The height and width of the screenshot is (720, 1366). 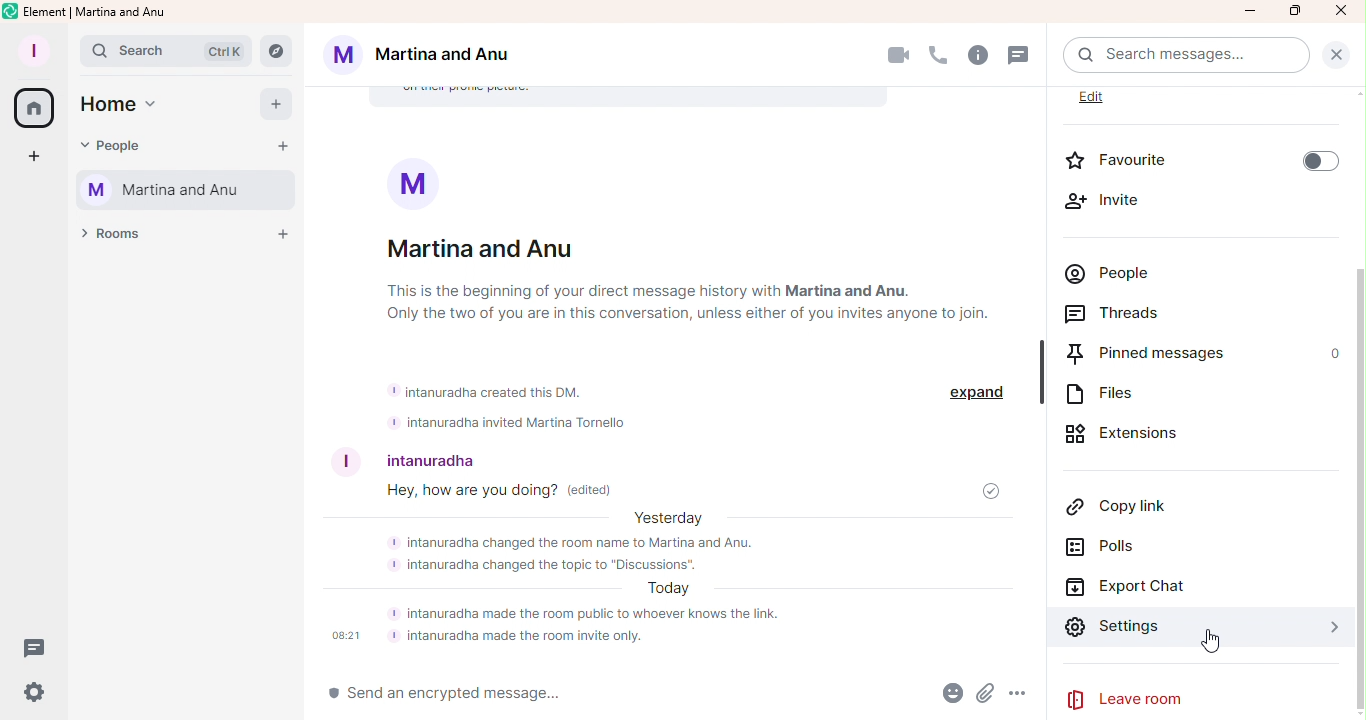 I want to click on Pointer, so click(x=1209, y=643).